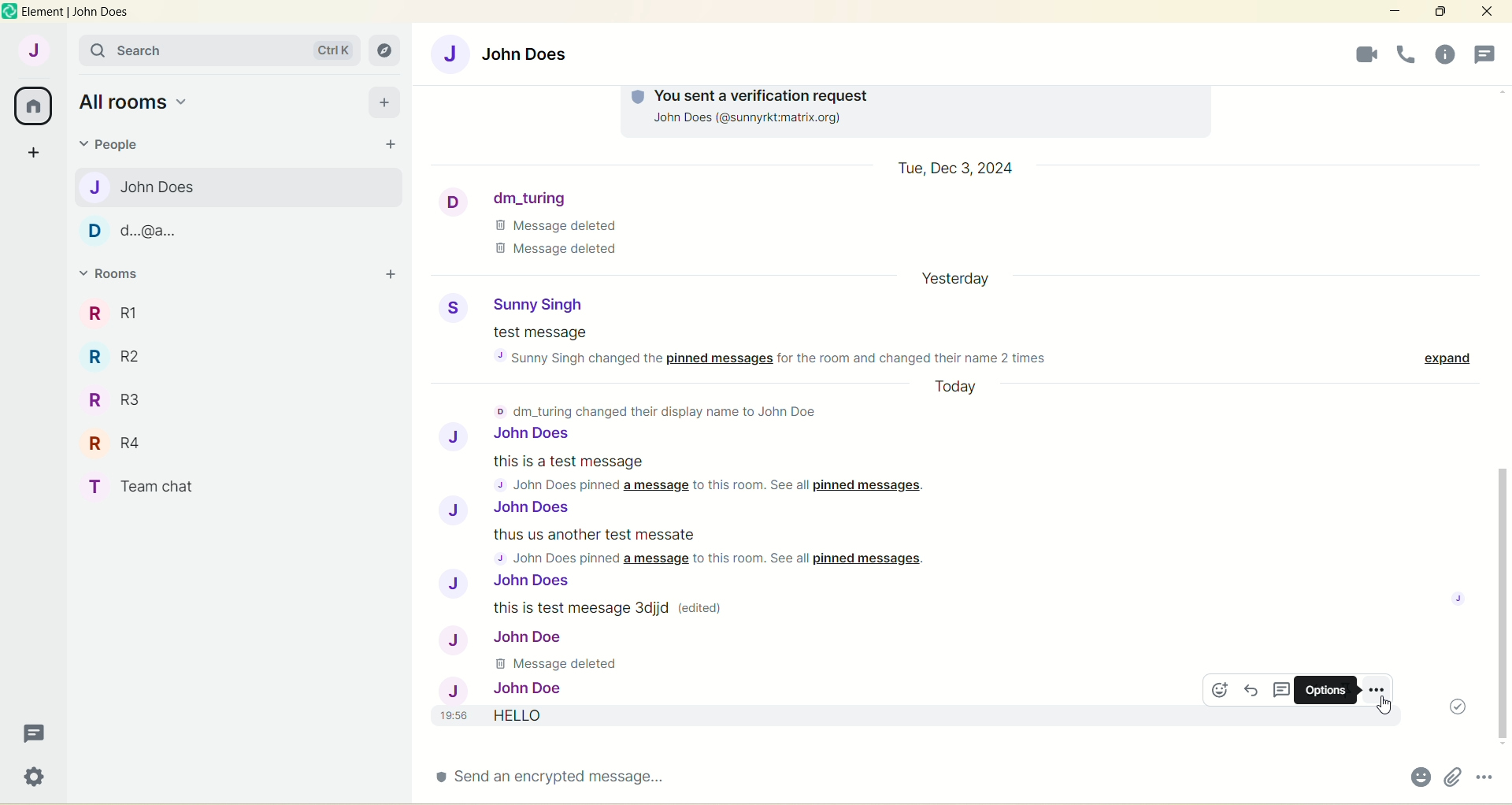  Describe the element at coordinates (1450, 778) in the screenshot. I see `attachments` at that location.